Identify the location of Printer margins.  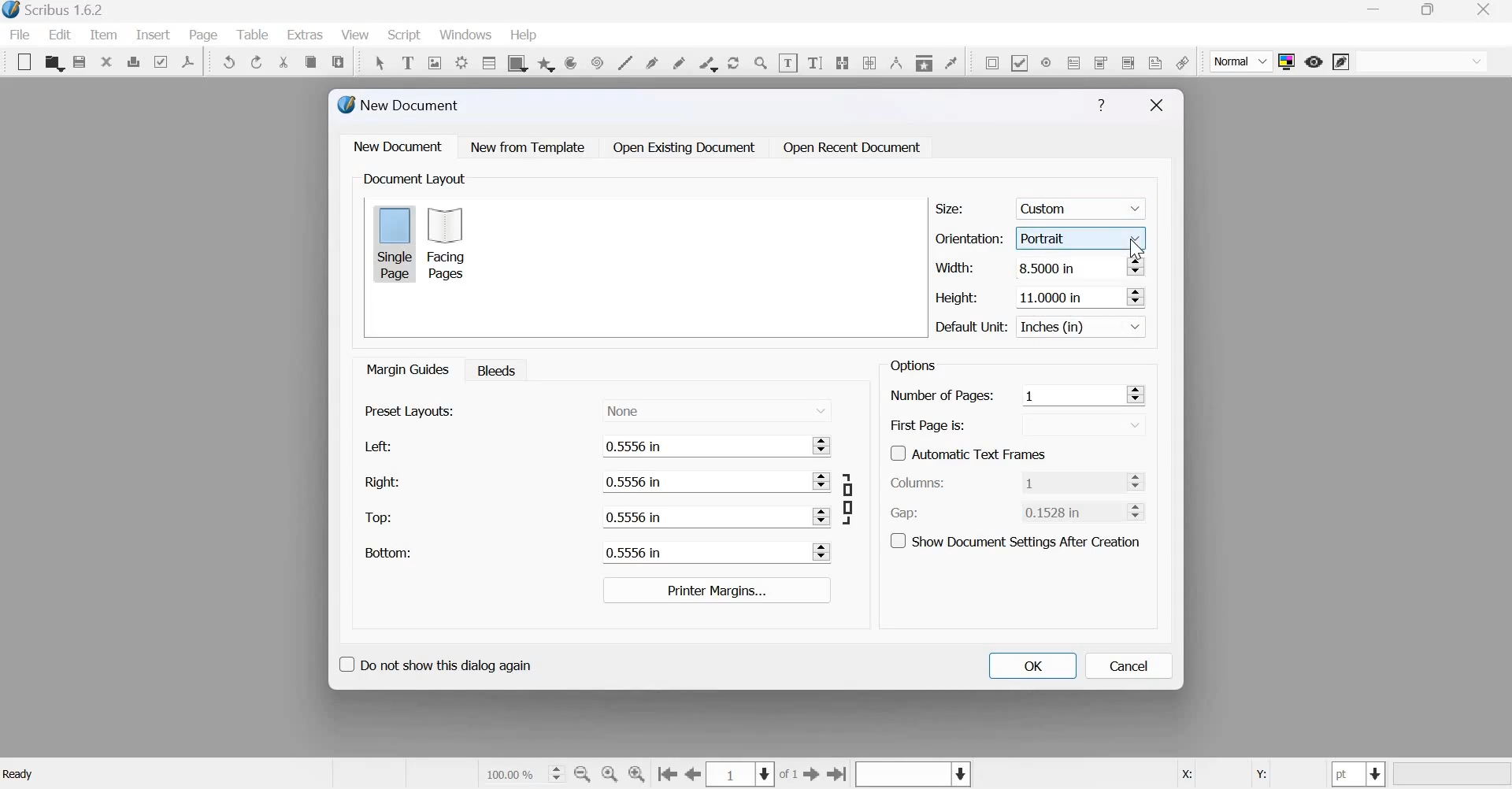
(715, 590).